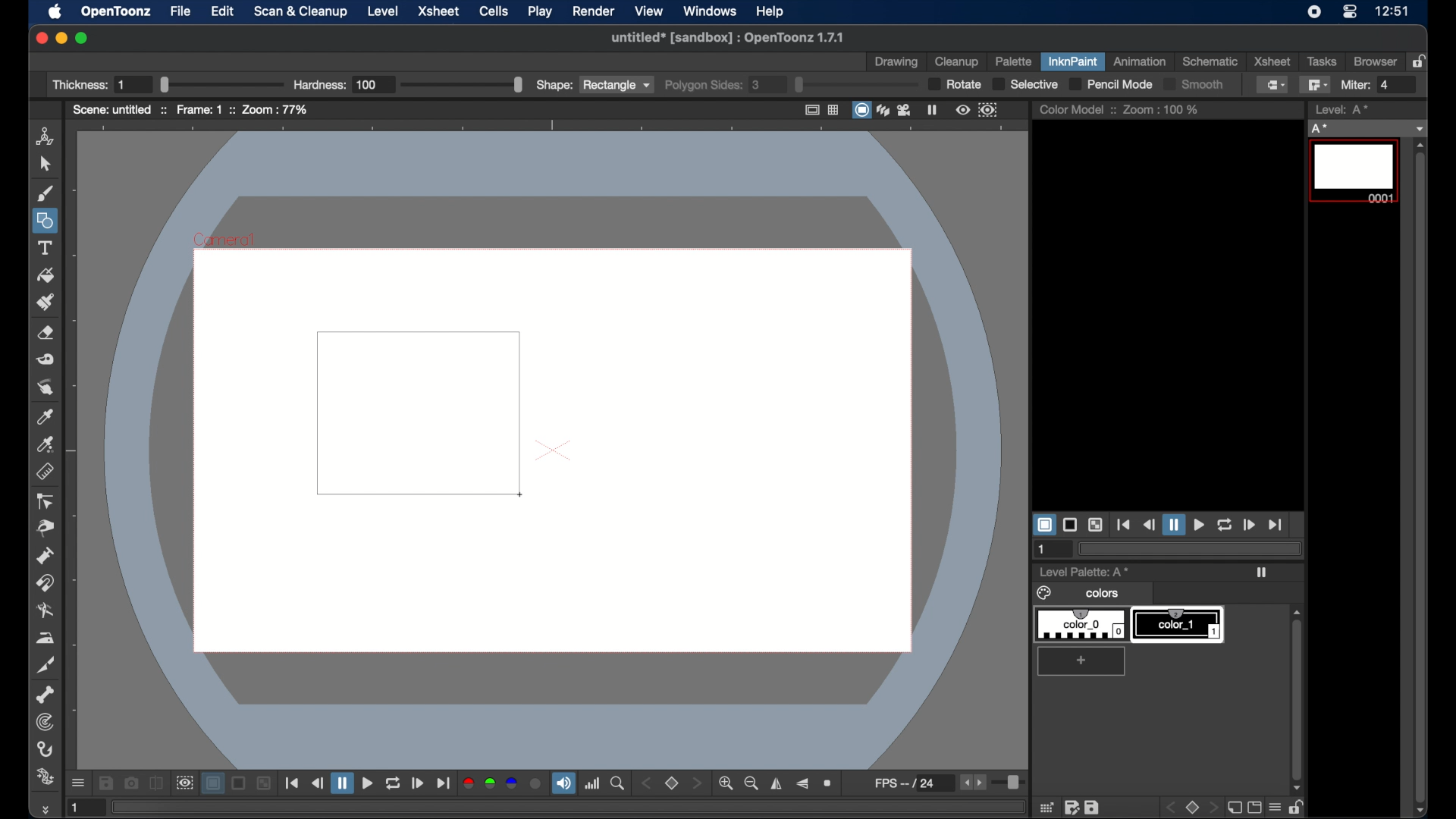 This screenshot has height=819, width=1456. Describe the element at coordinates (1070, 524) in the screenshot. I see `black background` at that location.